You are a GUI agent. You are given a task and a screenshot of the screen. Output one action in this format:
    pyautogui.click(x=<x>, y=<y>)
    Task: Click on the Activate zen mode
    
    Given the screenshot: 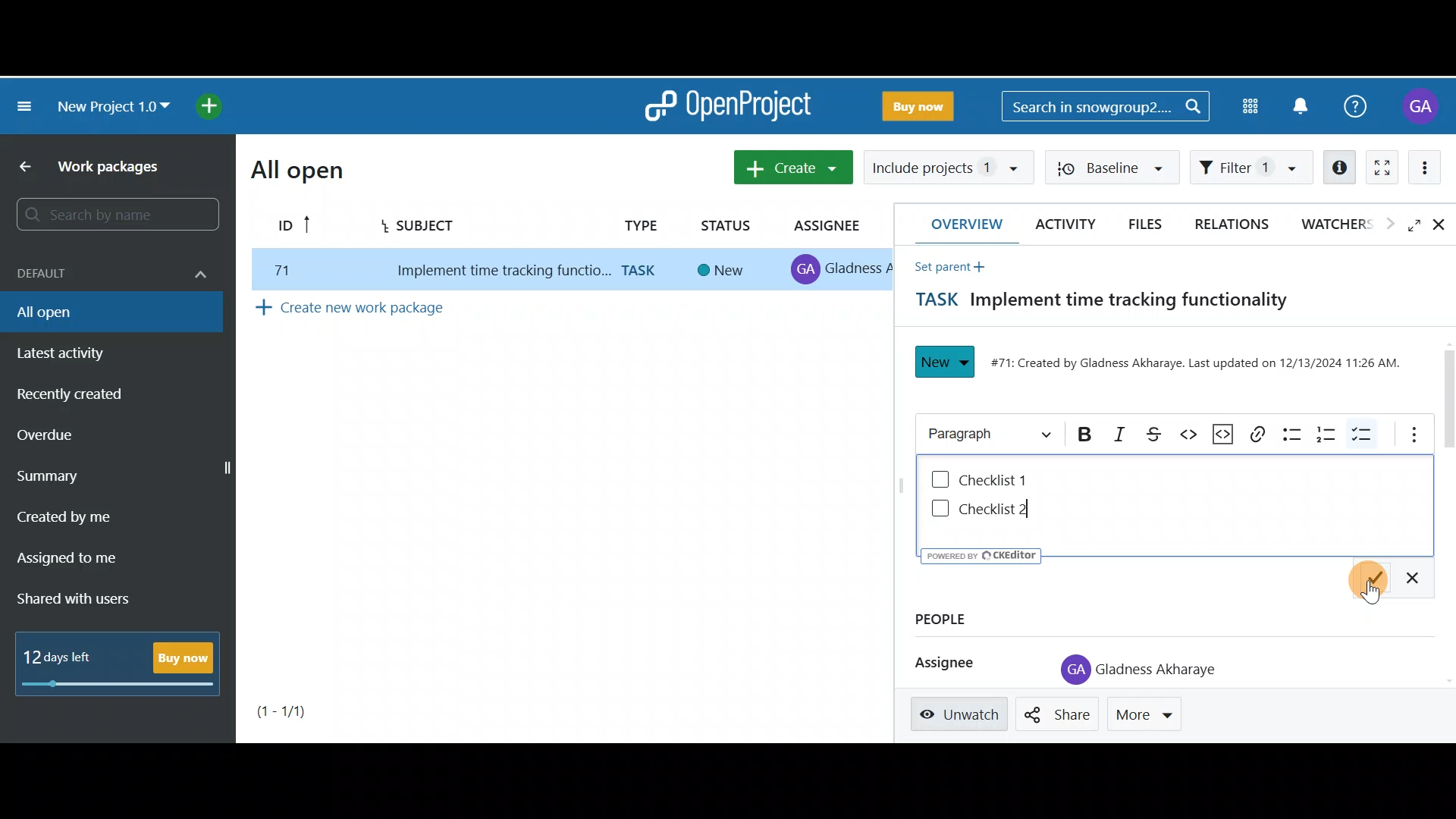 What is the action you would take?
    pyautogui.click(x=1384, y=168)
    